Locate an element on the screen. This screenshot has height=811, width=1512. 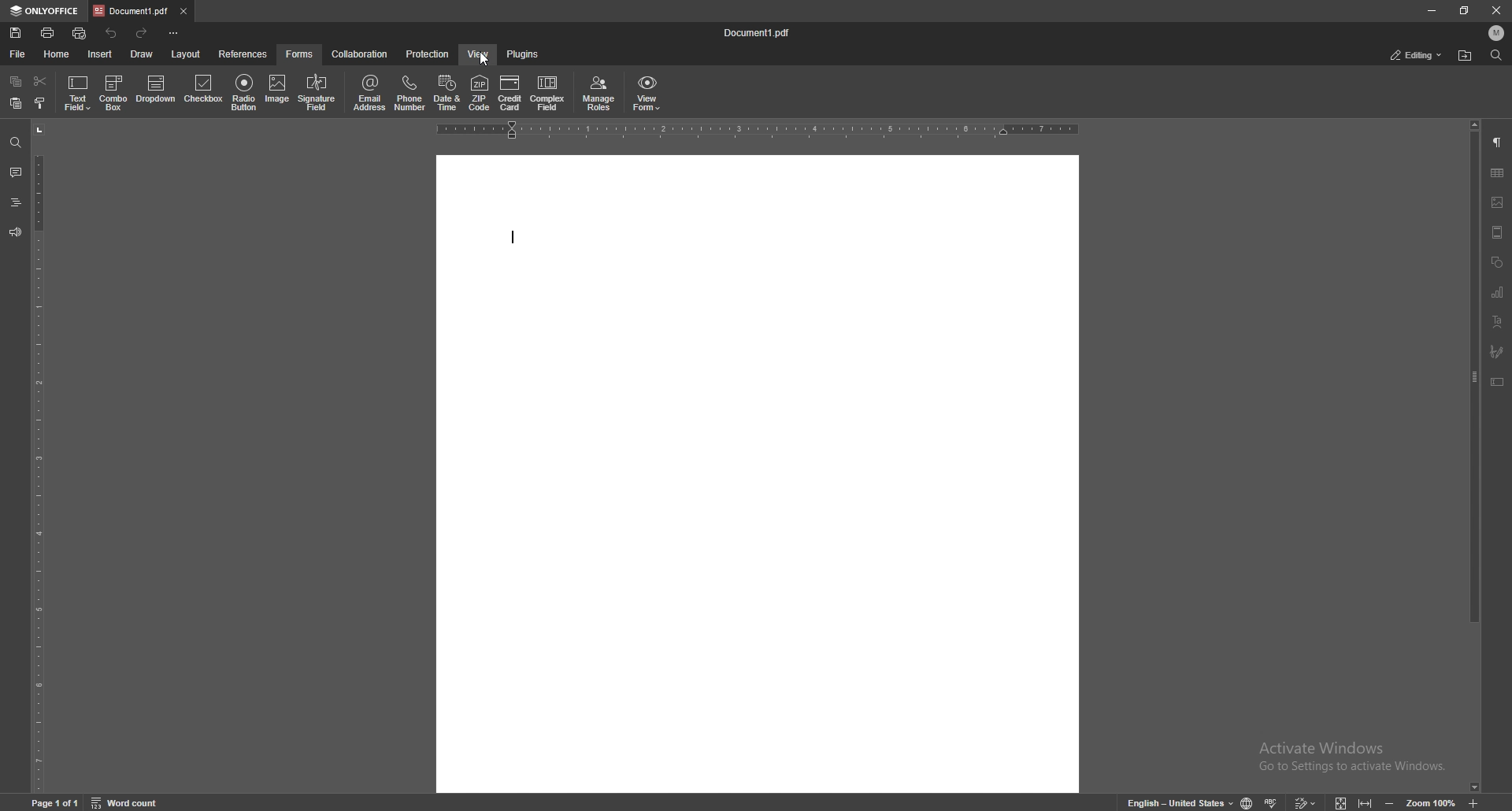
cursor is located at coordinates (483, 59).